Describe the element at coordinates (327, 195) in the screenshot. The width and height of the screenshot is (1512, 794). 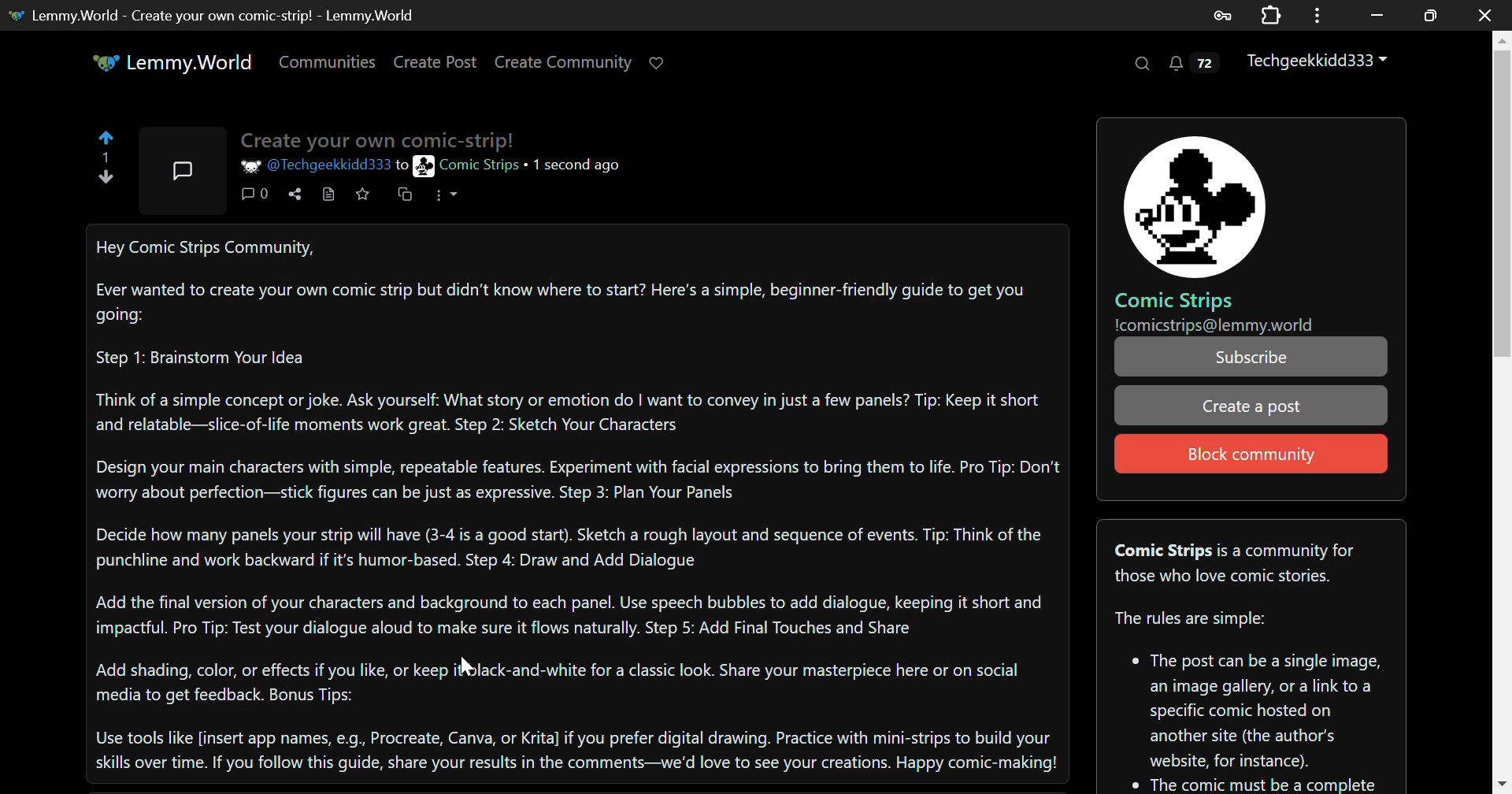
I see `View Source` at that location.